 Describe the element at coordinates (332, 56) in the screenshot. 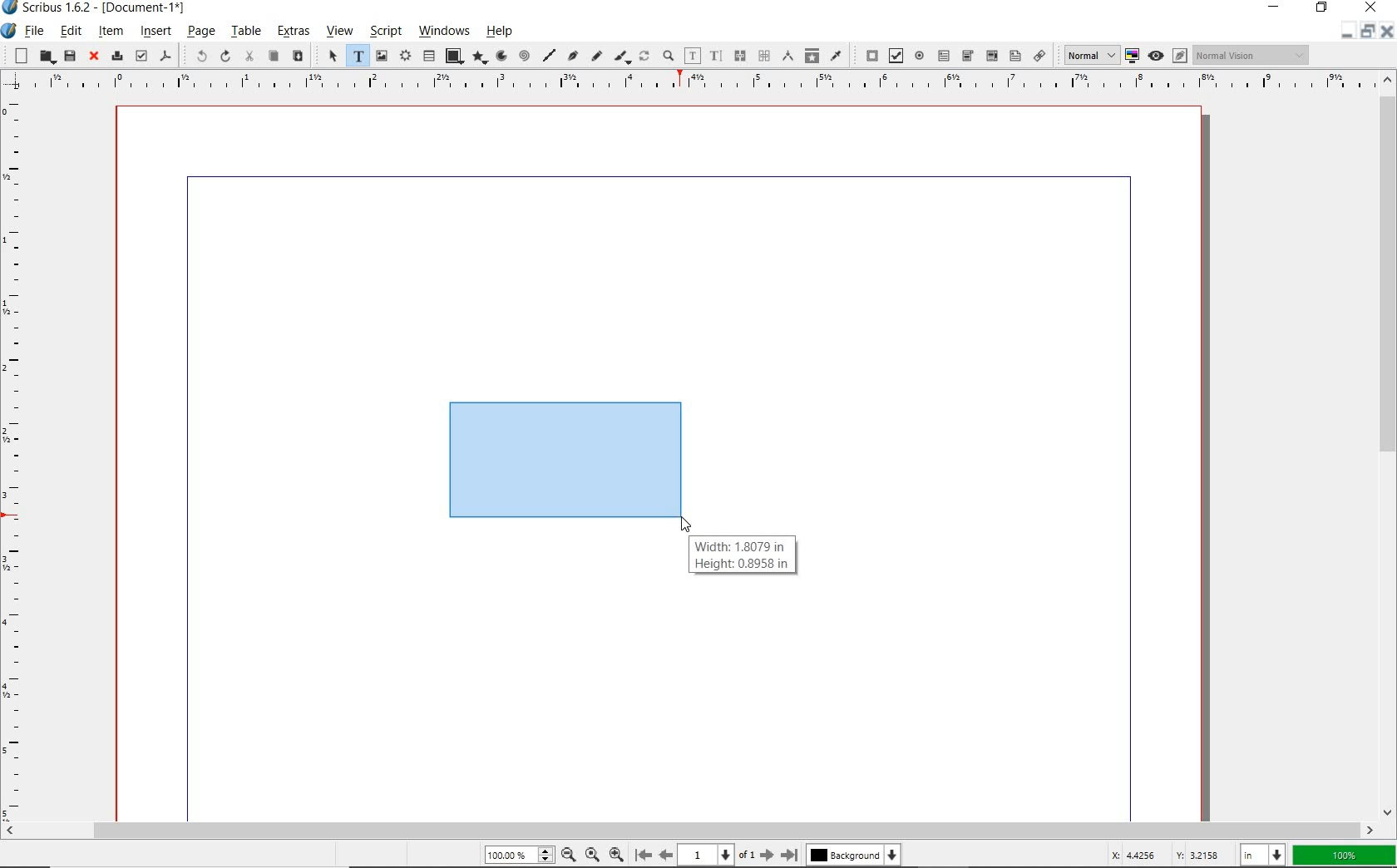

I see `select item` at that location.